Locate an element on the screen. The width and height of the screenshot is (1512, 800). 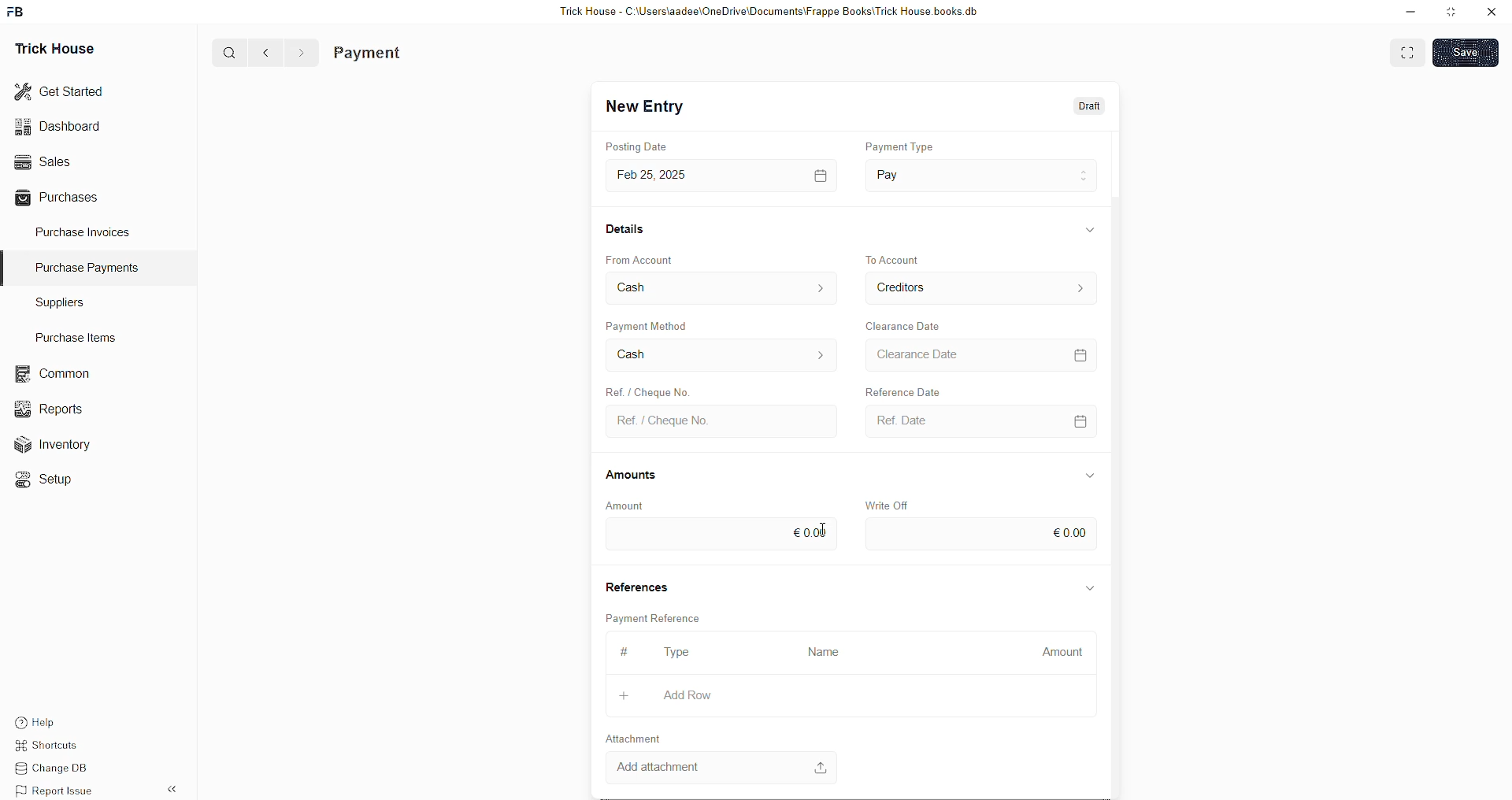
Purchase Invoice is located at coordinates (406, 53).